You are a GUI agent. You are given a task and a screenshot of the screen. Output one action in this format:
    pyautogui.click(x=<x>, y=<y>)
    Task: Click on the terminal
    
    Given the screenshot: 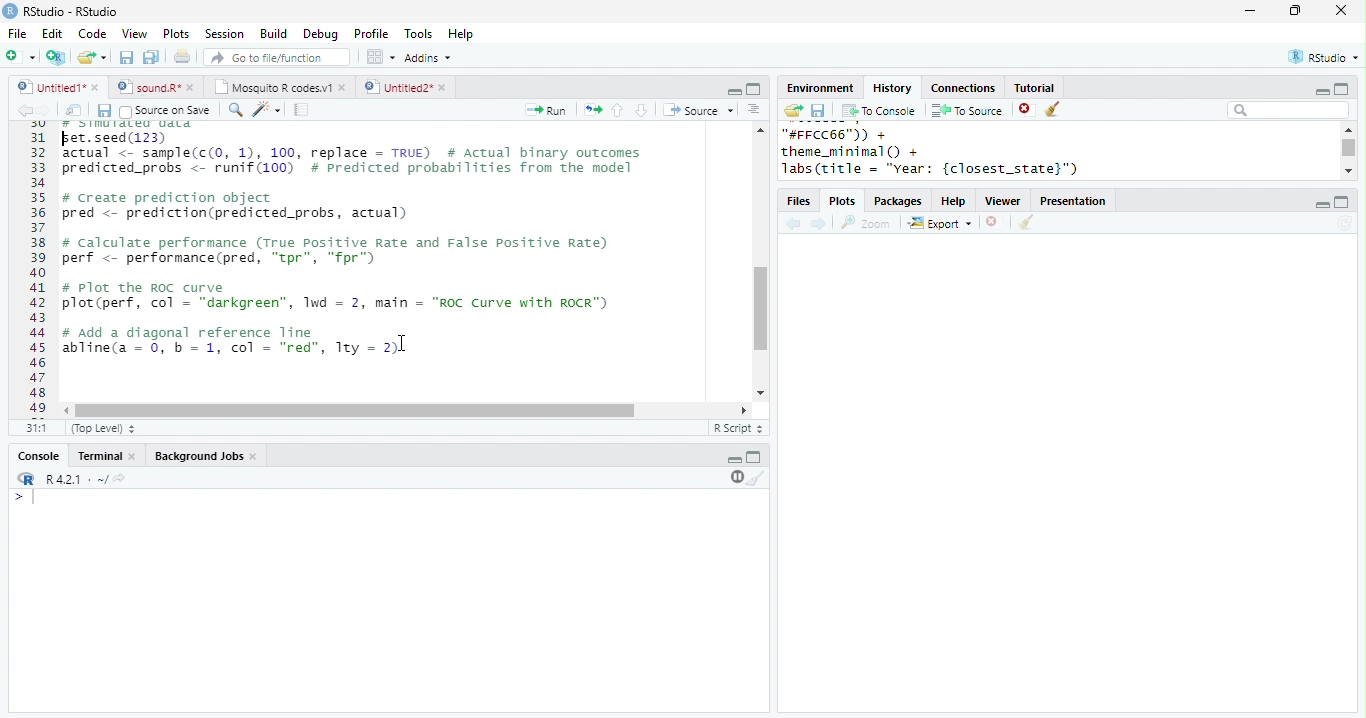 What is the action you would take?
    pyautogui.click(x=97, y=457)
    